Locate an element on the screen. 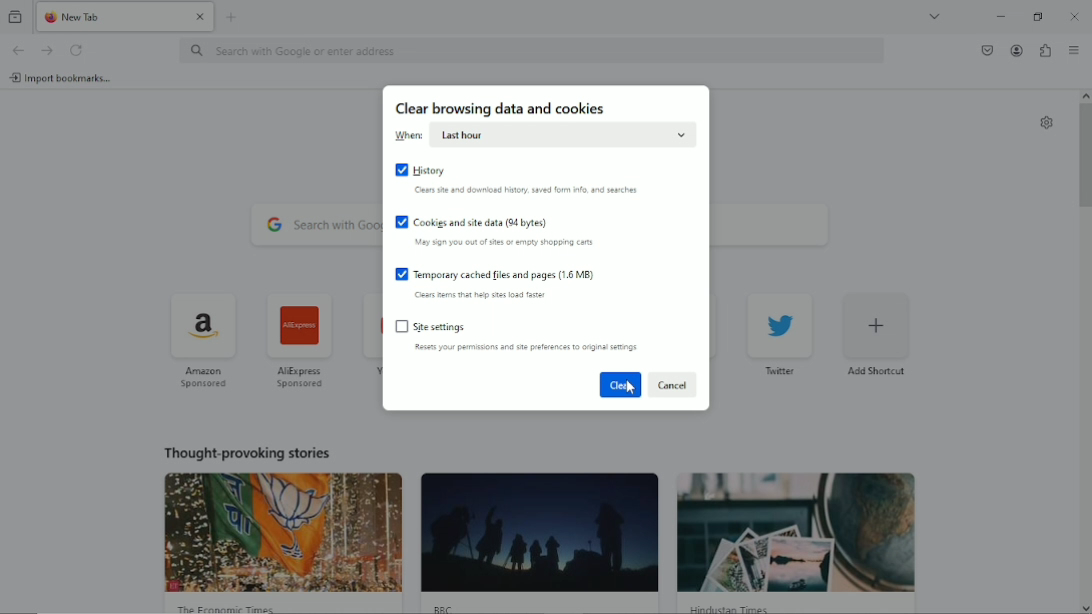 The image size is (1092, 614). Go forward is located at coordinates (46, 50).